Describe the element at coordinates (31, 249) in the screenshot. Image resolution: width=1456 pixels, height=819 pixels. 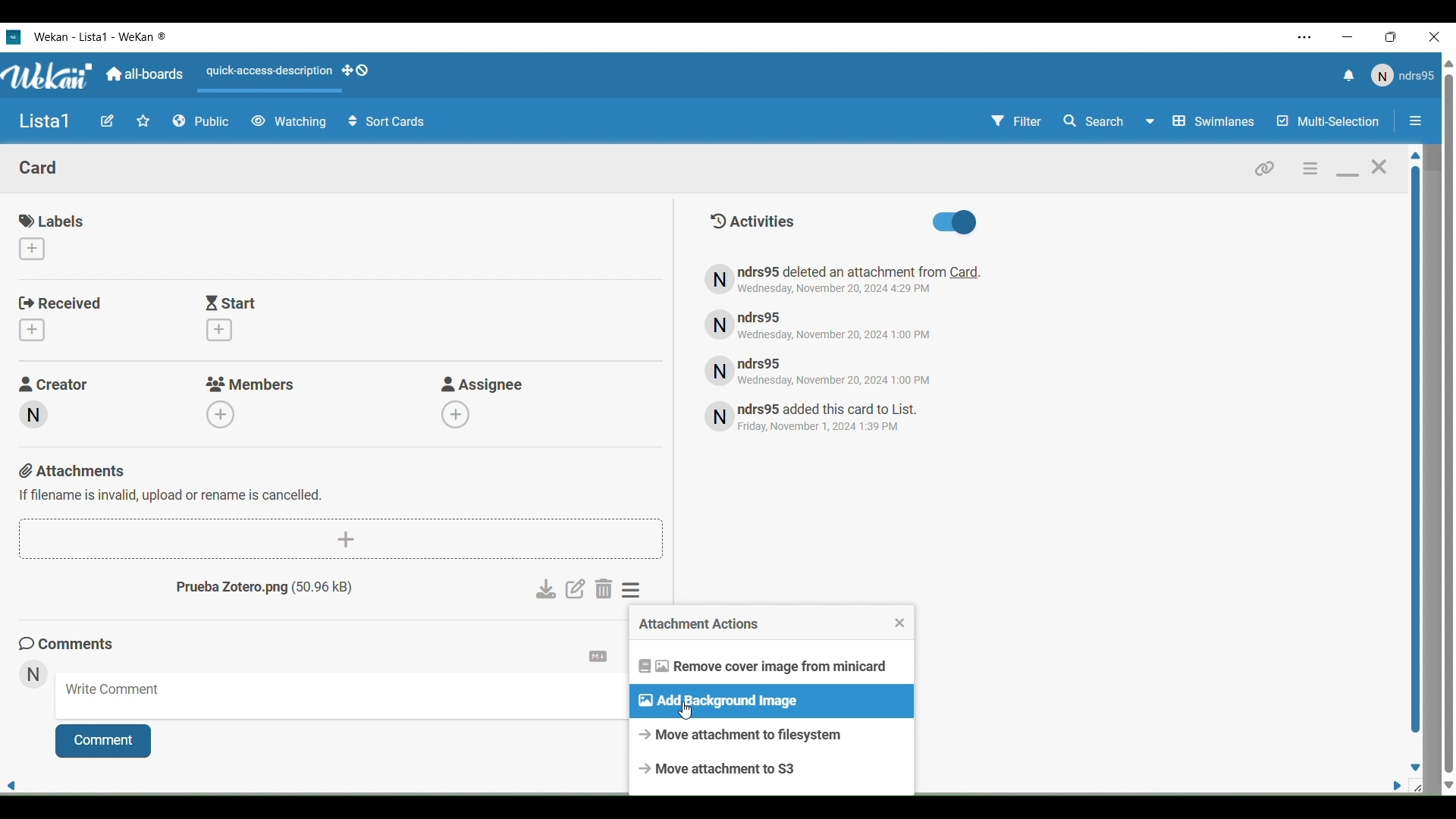
I see `Add labbels` at that location.